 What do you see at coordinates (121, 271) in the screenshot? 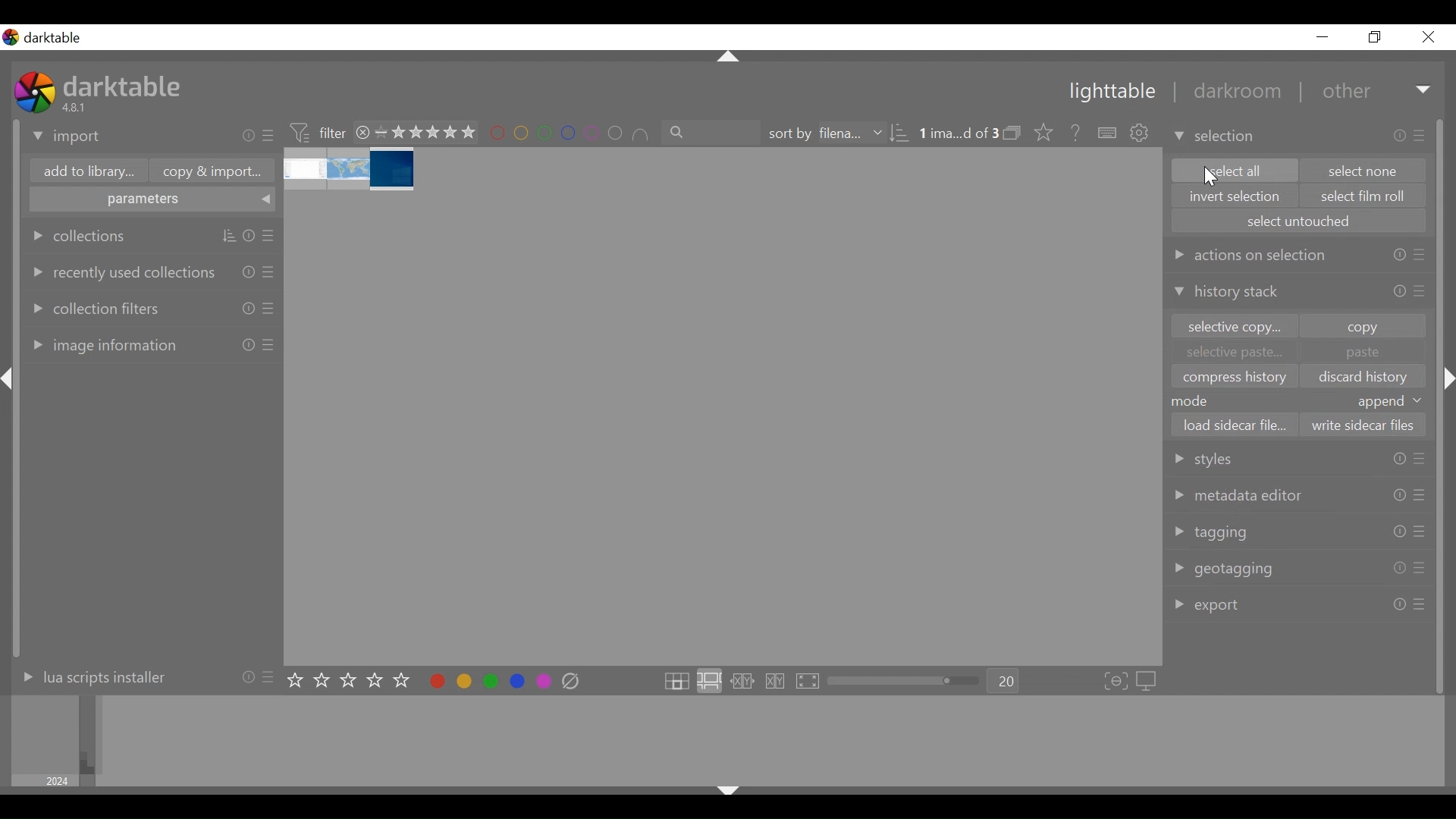
I see `recently used collections` at bounding box center [121, 271].